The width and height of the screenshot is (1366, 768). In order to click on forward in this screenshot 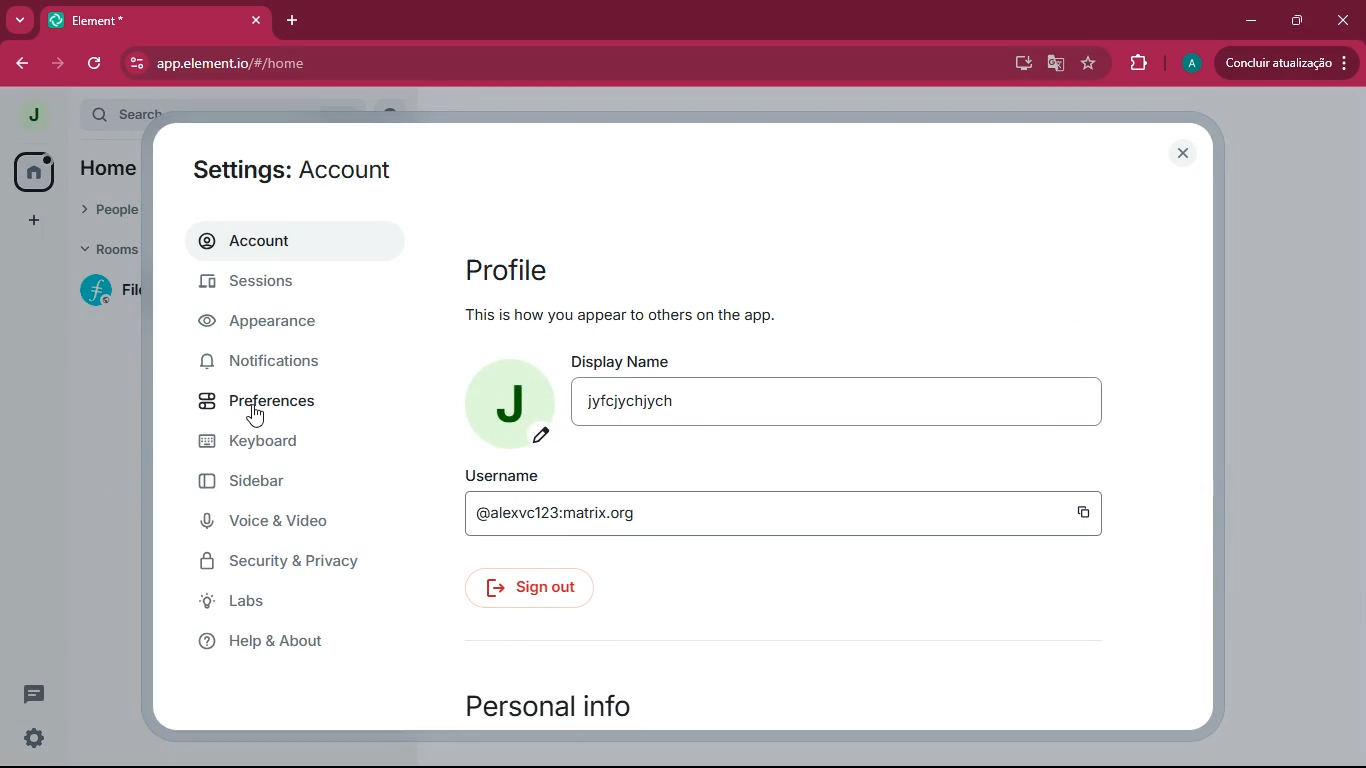, I will do `click(58, 65)`.